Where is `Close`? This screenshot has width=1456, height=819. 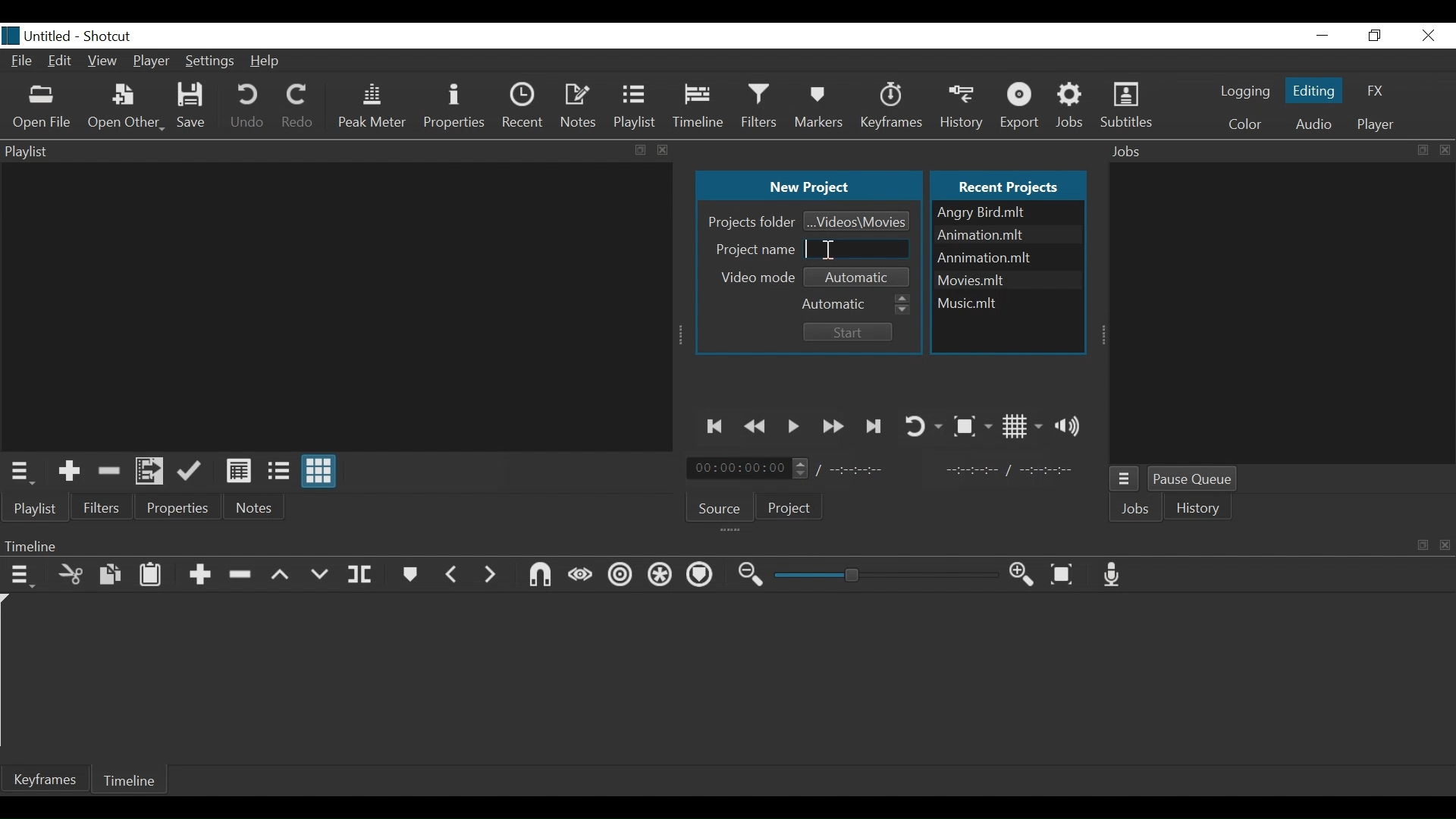 Close is located at coordinates (1426, 35).